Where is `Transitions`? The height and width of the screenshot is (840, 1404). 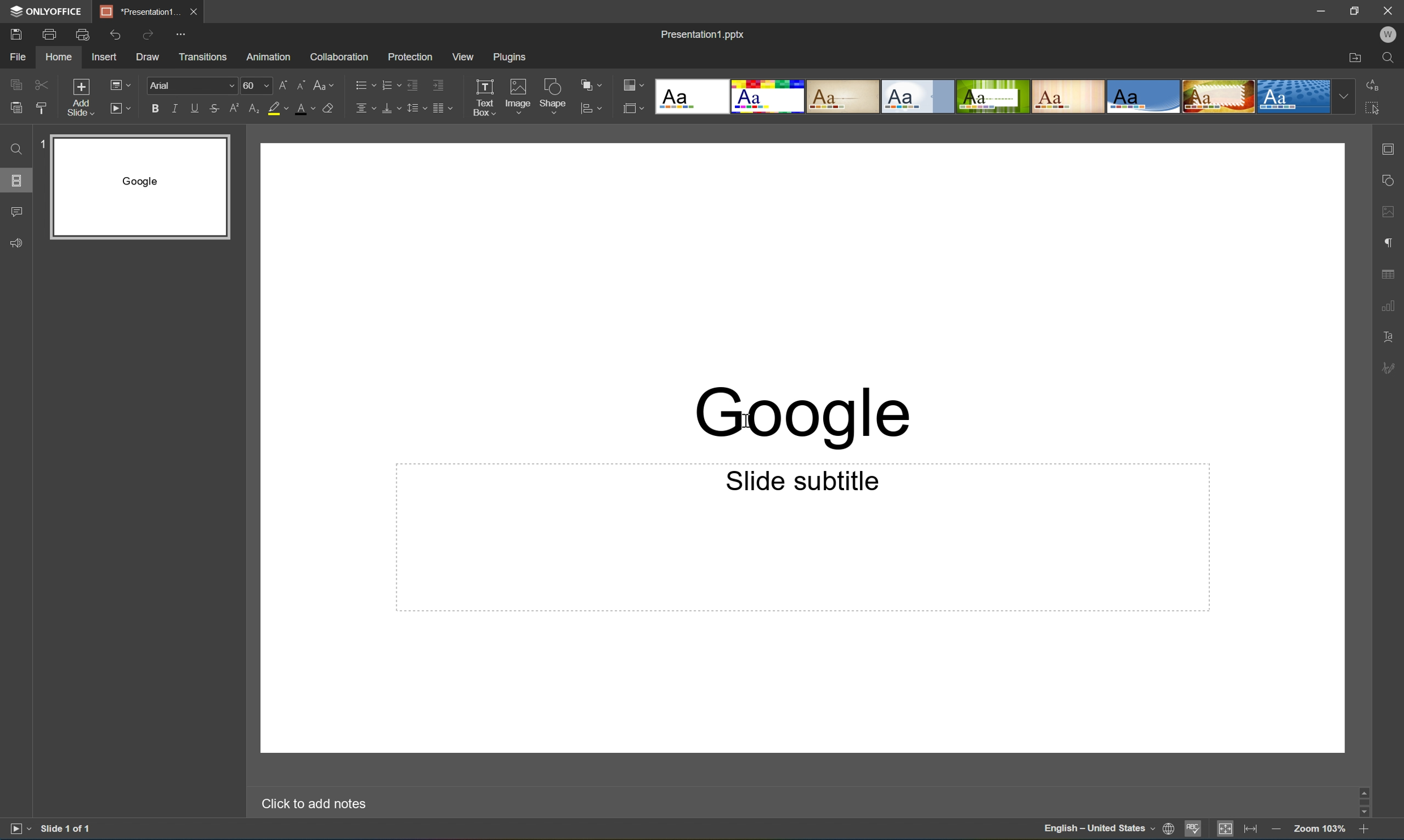
Transitions is located at coordinates (203, 57).